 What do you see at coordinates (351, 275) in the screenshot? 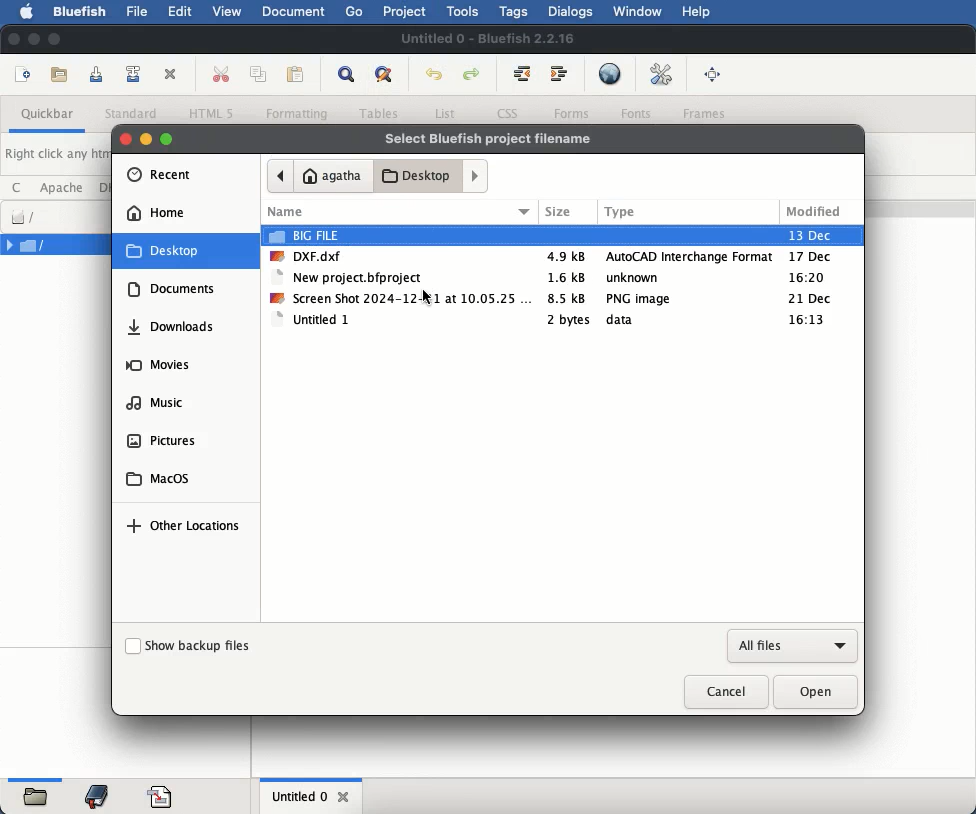
I see `new project.bfprojet` at bounding box center [351, 275].